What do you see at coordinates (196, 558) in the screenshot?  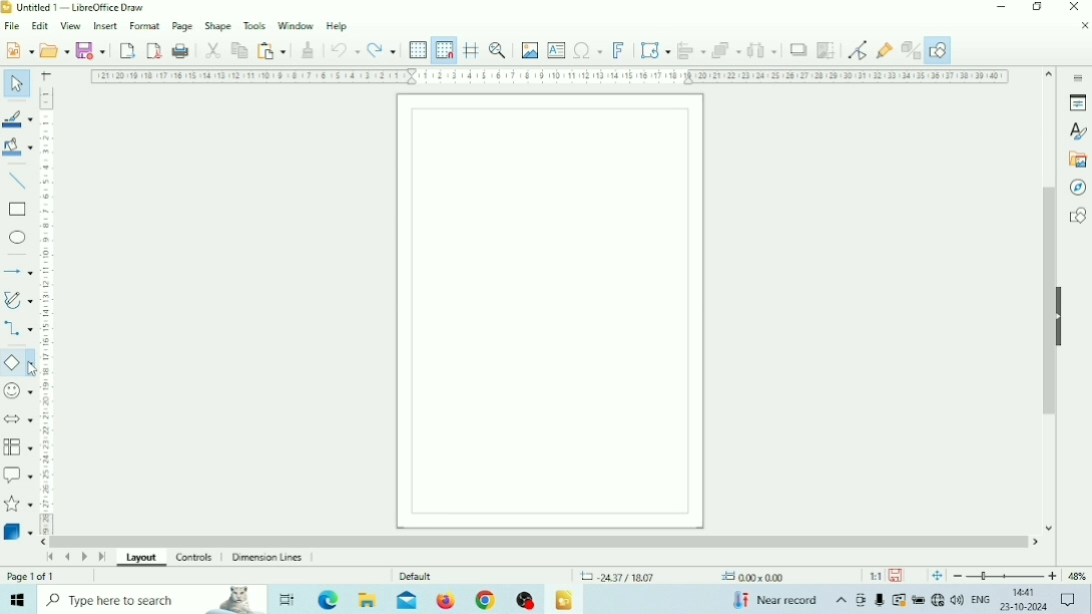 I see `Controls` at bounding box center [196, 558].